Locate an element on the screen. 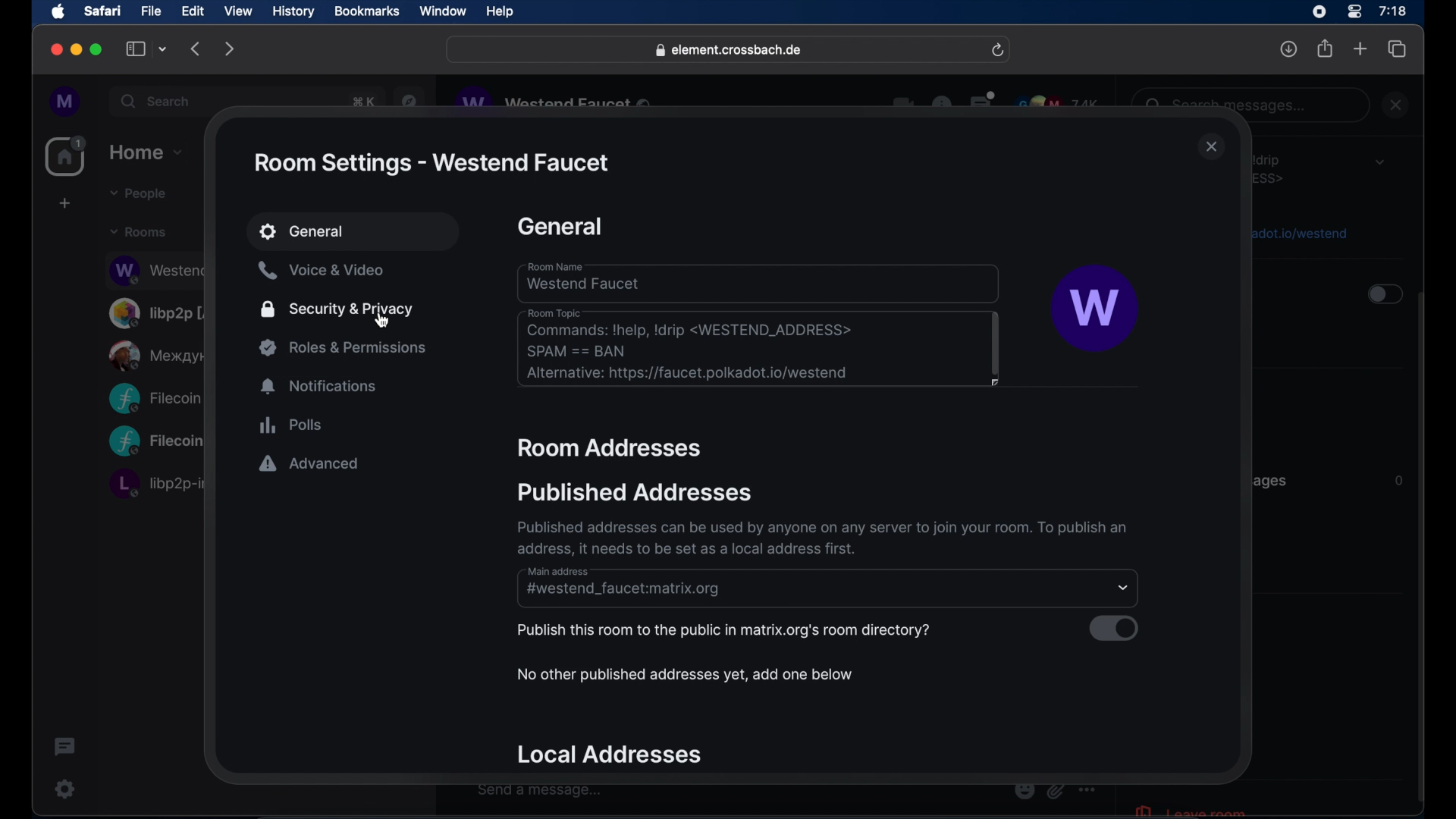 Image resolution: width=1456 pixels, height=819 pixels. obscure is located at coordinates (156, 442).